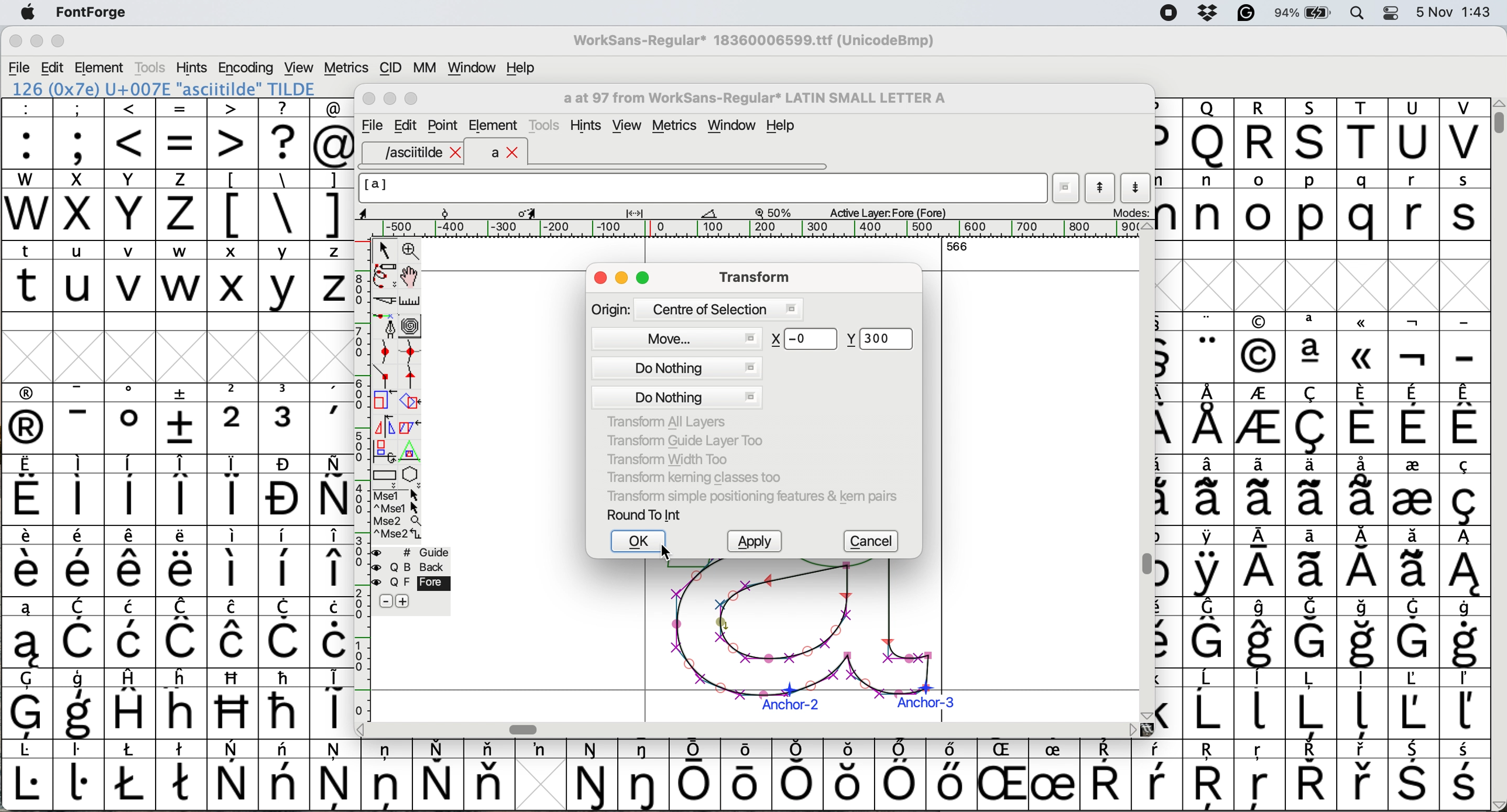  Describe the element at coordinates (28, 491) in the screenshot. I see `symbol` at that location.